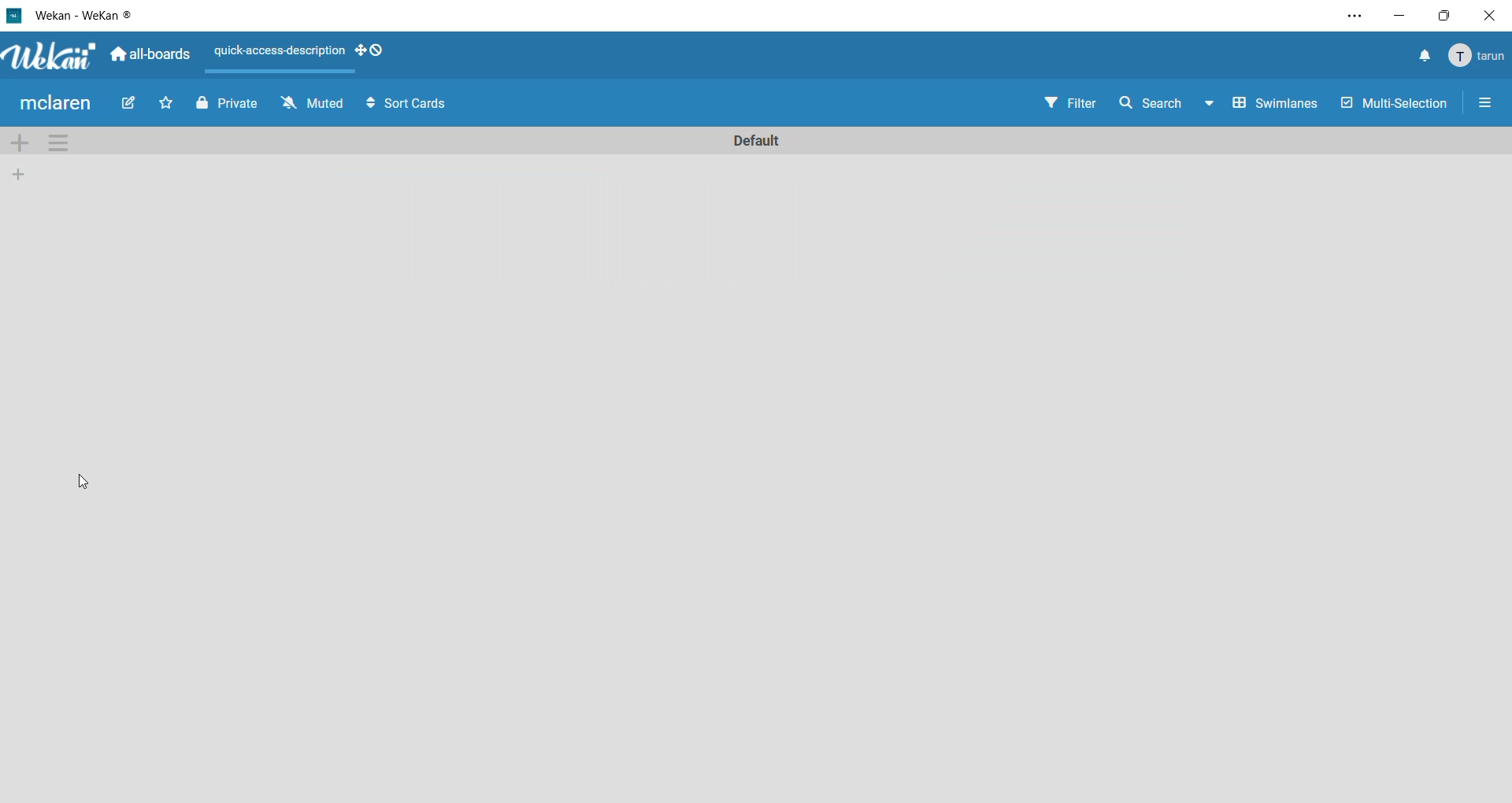 The width and height of the screenshot is (1512, 803). I want to click on Account, so click(1479, 56).